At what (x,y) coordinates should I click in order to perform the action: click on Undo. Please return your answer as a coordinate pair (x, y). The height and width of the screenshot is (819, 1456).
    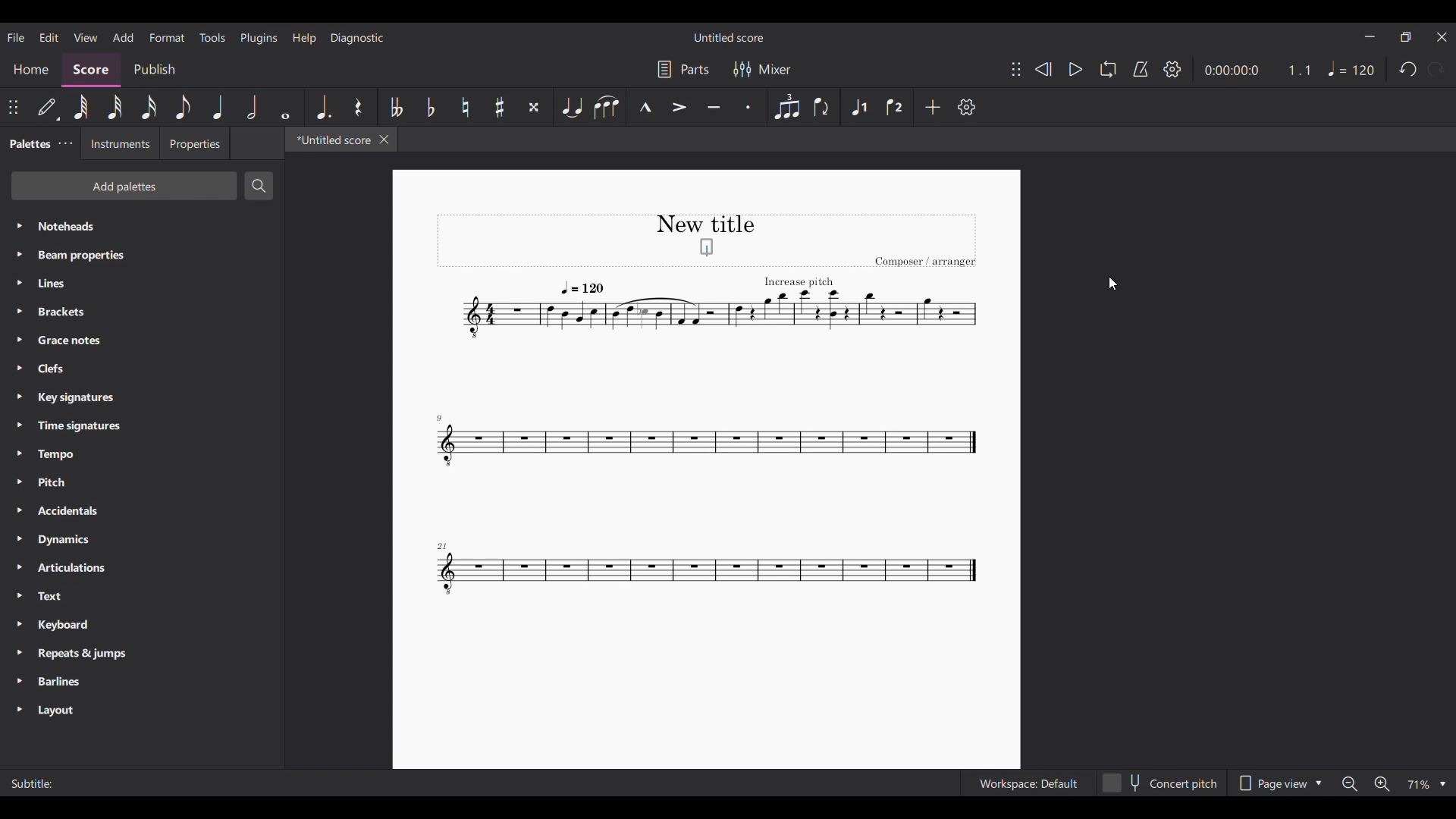
    Looking at the image, I should click on (1407, 69).